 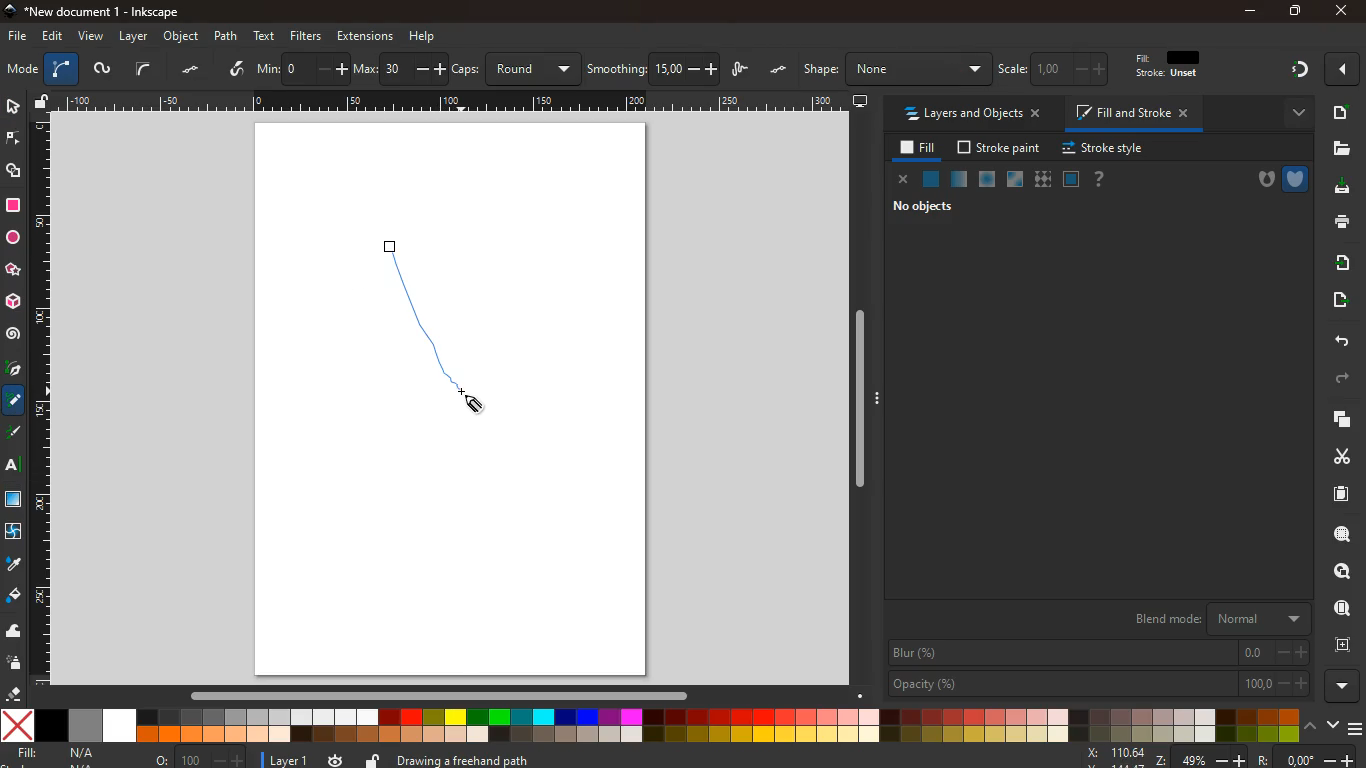 I want to click on layer, so click(x=136, y=37).